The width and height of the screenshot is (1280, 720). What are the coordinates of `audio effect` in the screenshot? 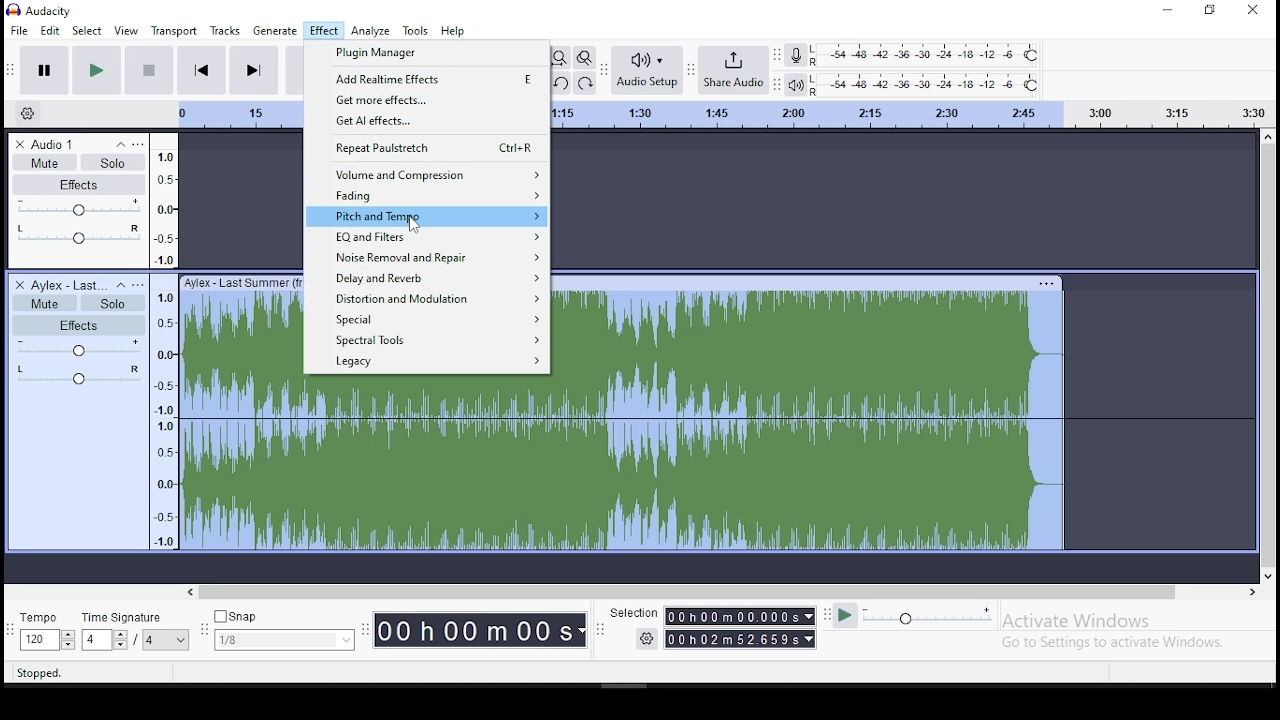 It's located at (77, 242).